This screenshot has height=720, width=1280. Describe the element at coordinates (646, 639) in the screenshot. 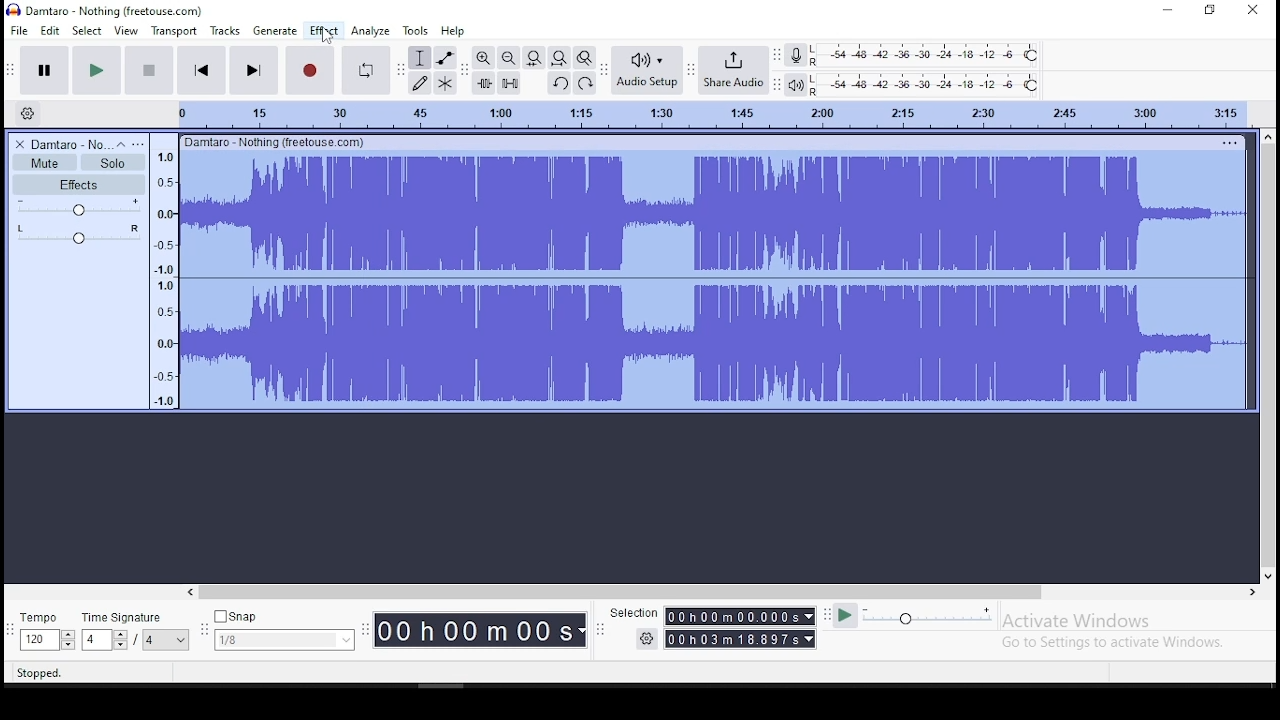

I see `Settings` at that location.